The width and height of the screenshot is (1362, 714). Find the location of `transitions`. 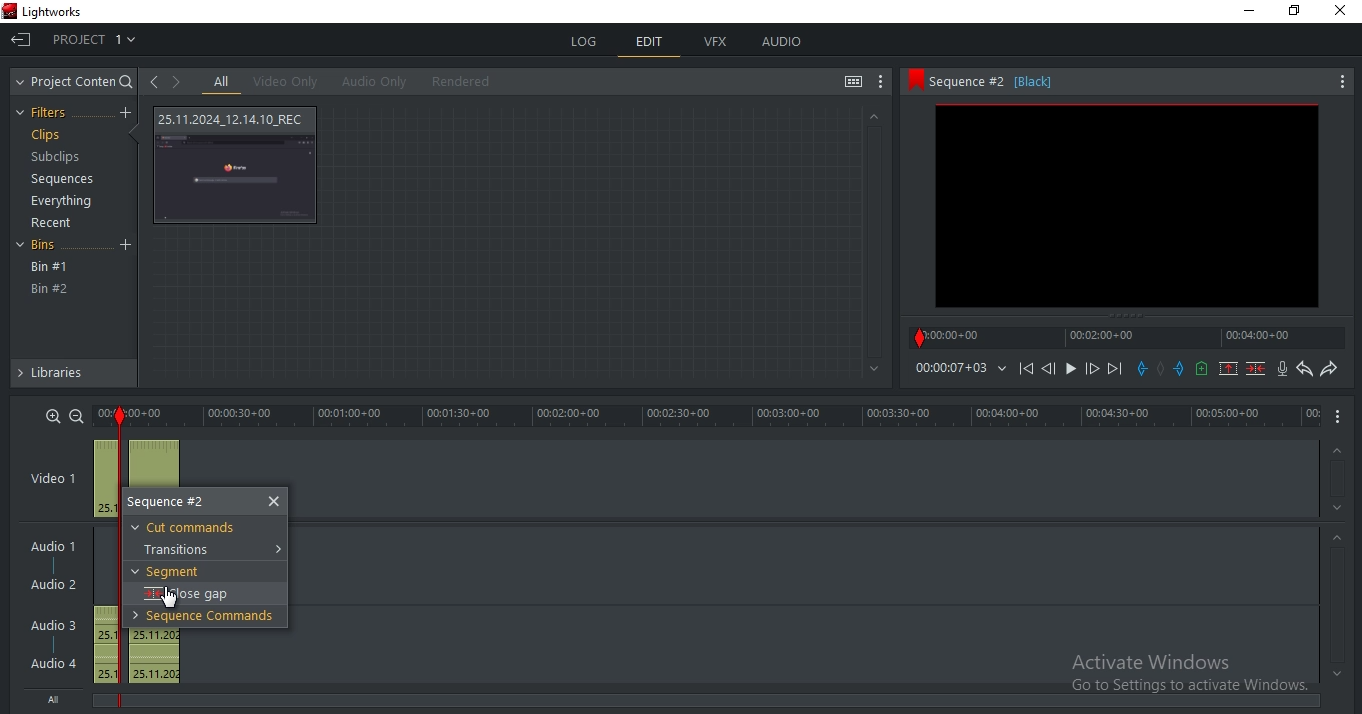

transitions is located at coordinates (209, 549).